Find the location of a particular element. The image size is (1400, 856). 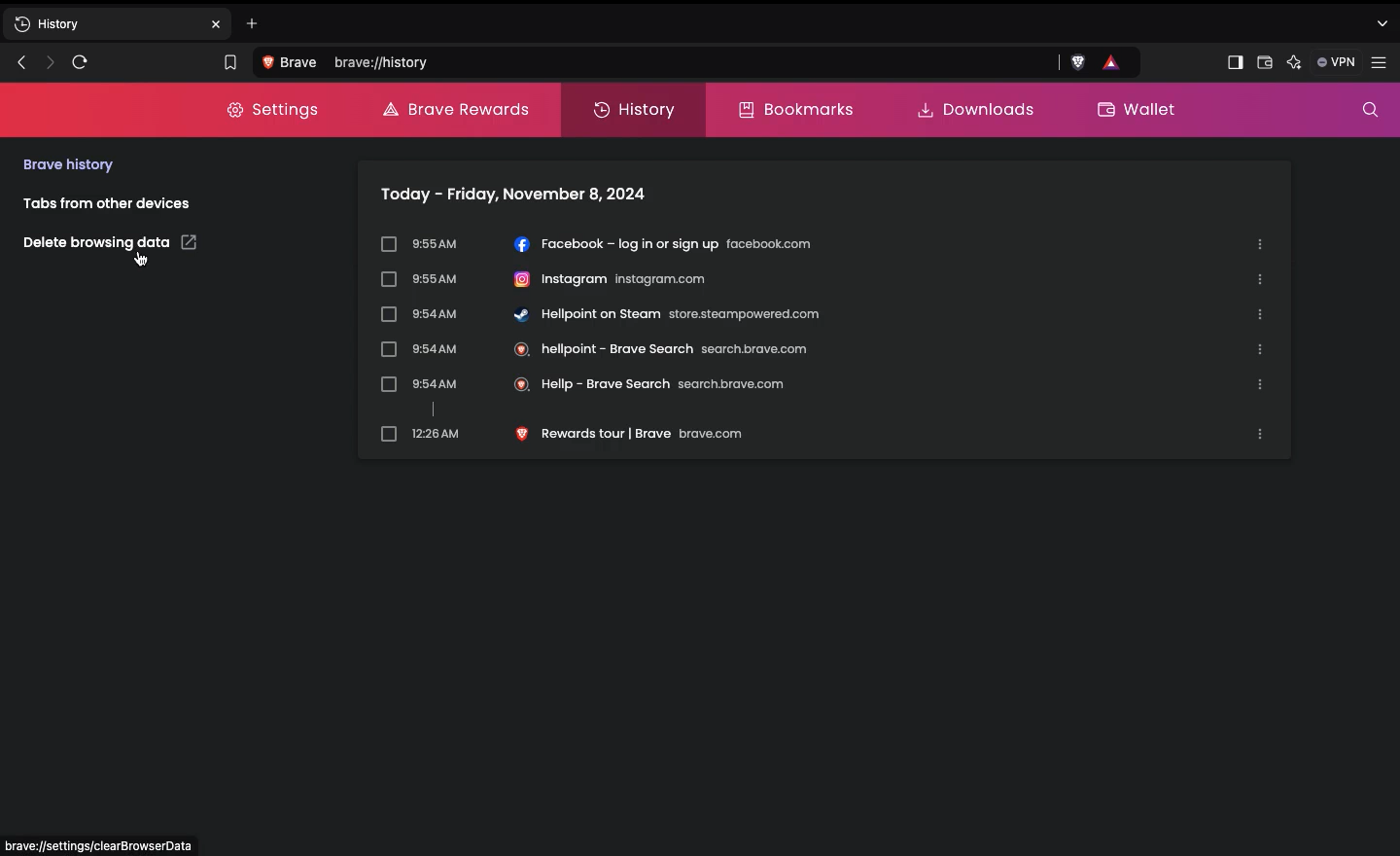

Settings is located at coordinates (1382, 62).